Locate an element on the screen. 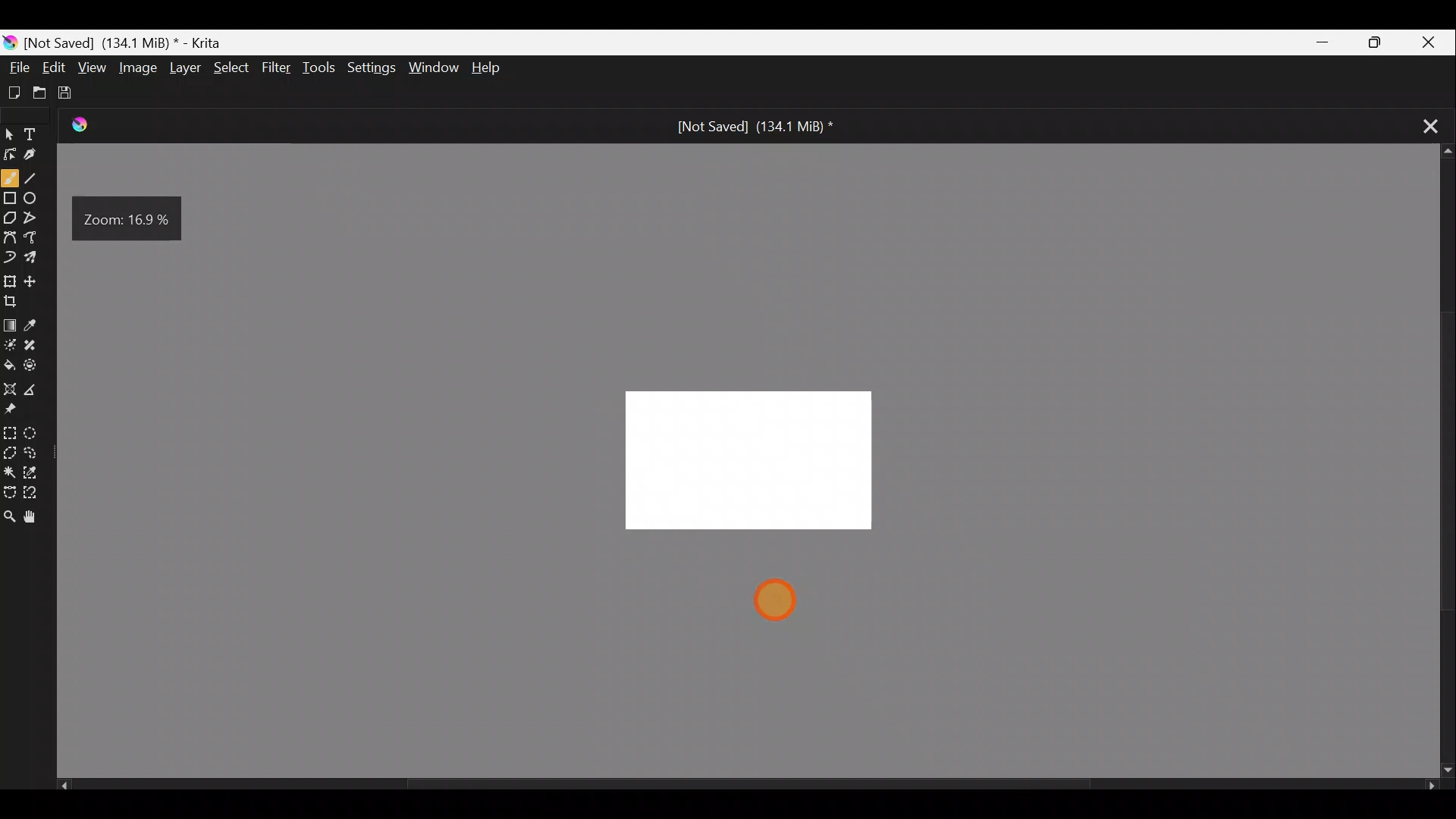  Enclose & fill tool is located at coordinates (37, 365).